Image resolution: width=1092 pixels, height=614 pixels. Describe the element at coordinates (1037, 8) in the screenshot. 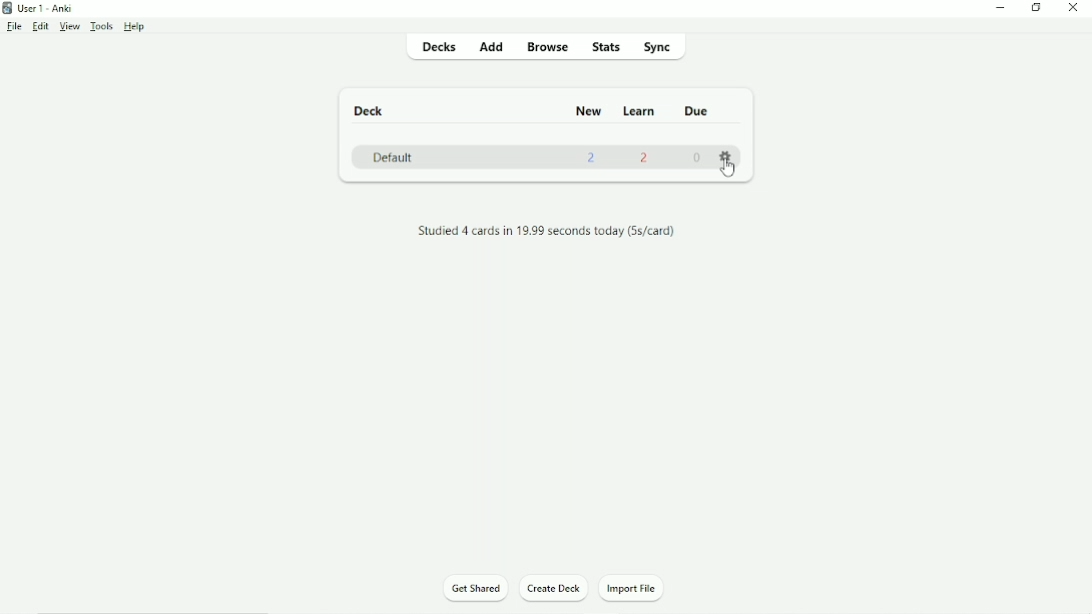

I see `Restore down` at that location.